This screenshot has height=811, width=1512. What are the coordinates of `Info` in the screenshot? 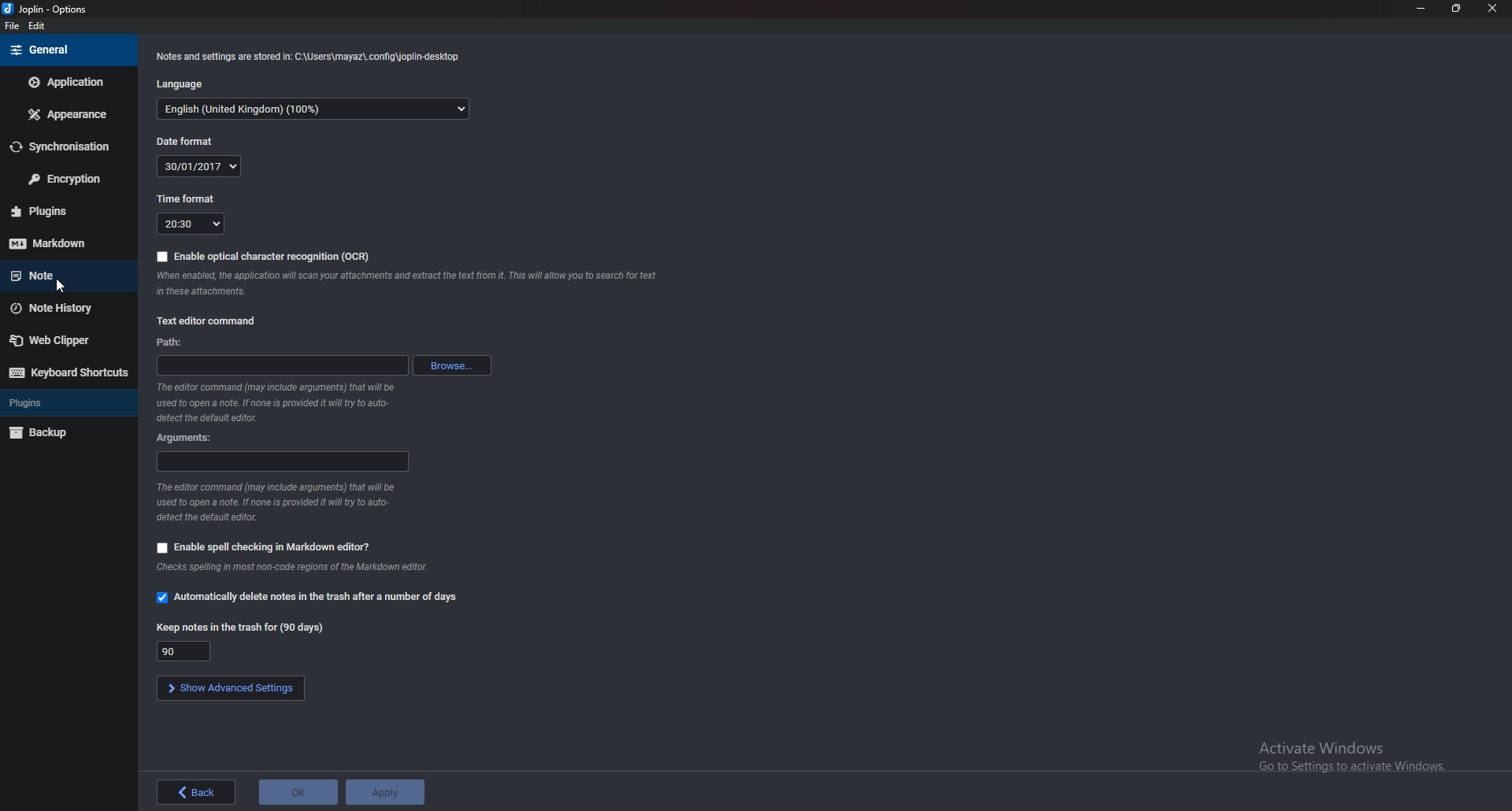 It's located at (309, 57).